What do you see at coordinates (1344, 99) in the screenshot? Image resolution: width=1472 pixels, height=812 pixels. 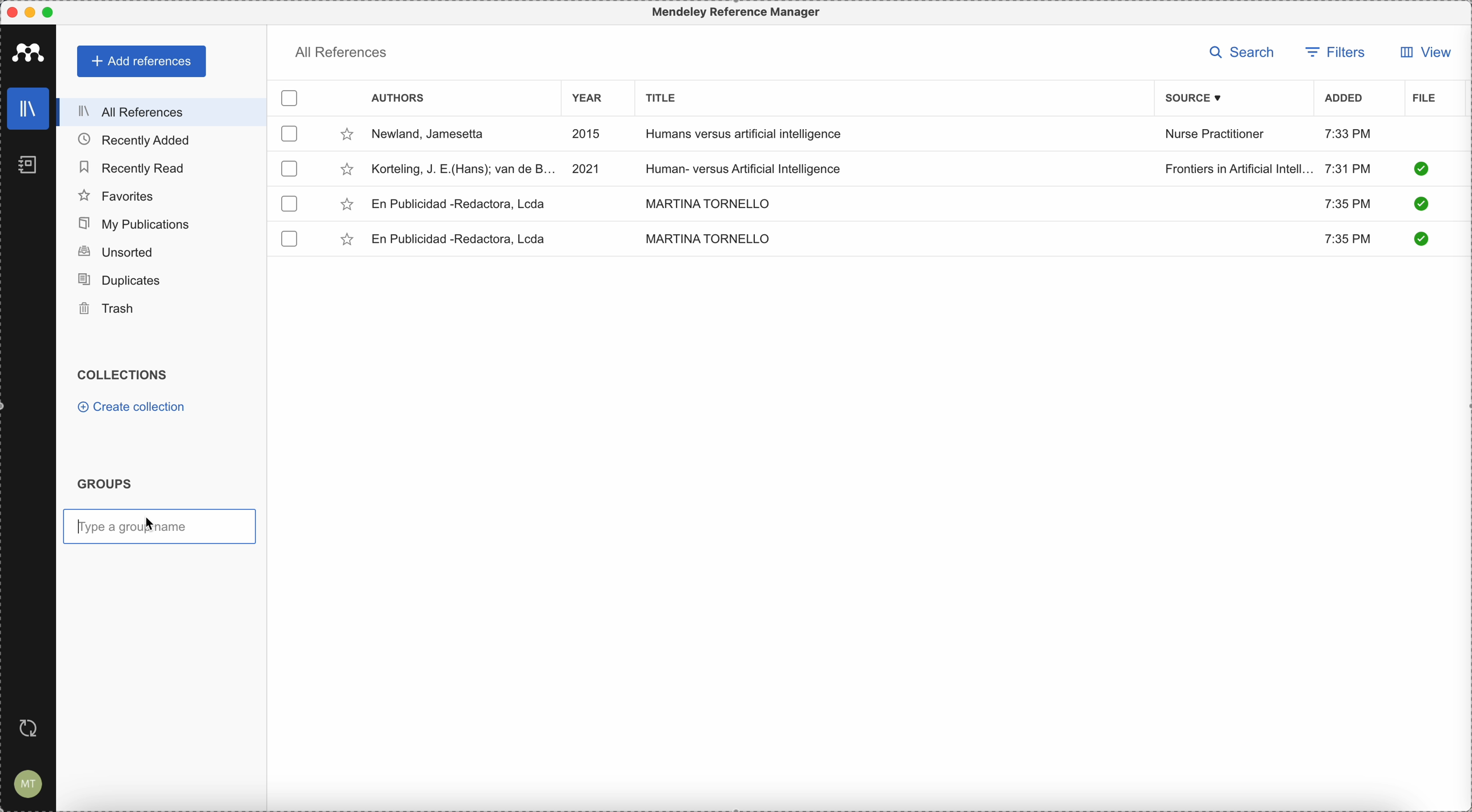 I see `added` at bounding box center [1344, 99].